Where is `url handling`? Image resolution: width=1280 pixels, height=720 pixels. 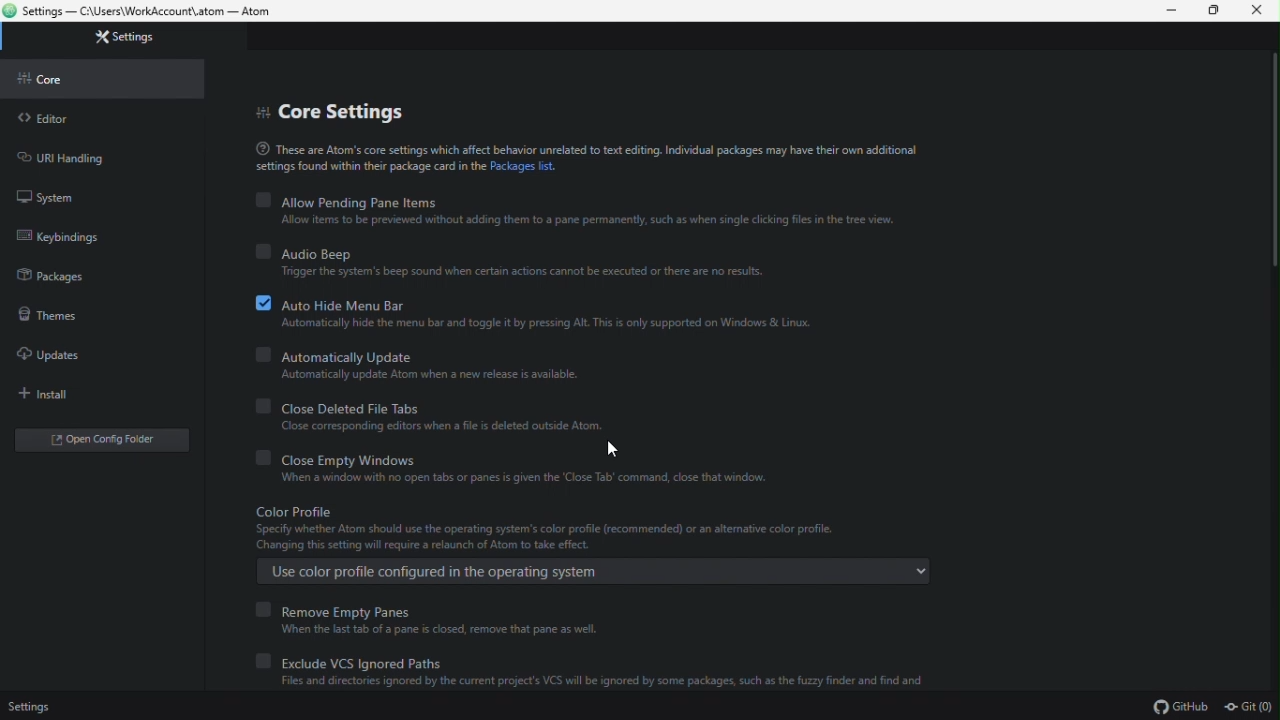 url handling is located at coordinates (92, 153).